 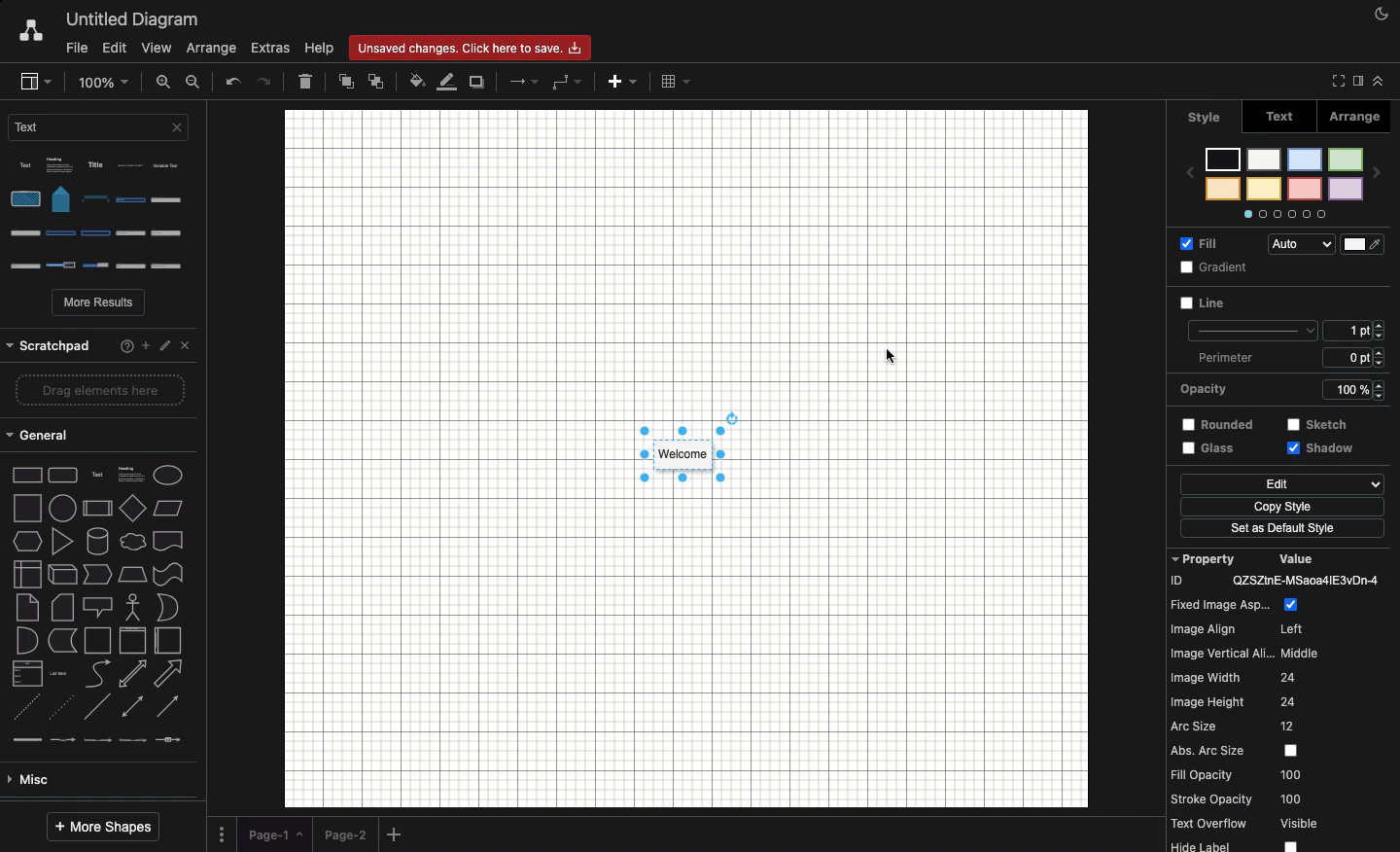 What do you see at coordinates (104, 216) in the screenshot?
I see `Options` at bounding box center [104, 216].